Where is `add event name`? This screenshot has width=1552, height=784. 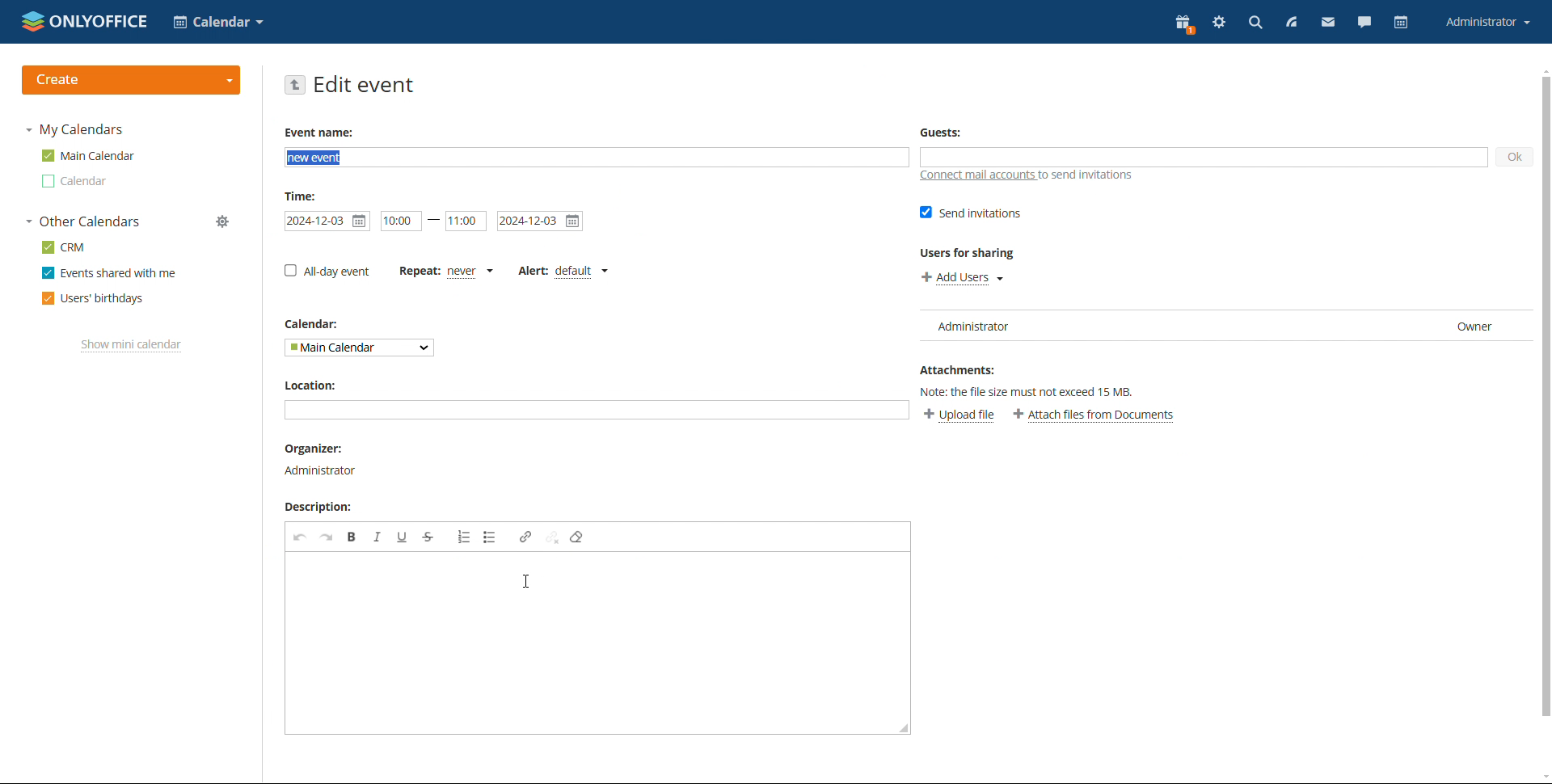 add event name is located at coordinates (597, 158).